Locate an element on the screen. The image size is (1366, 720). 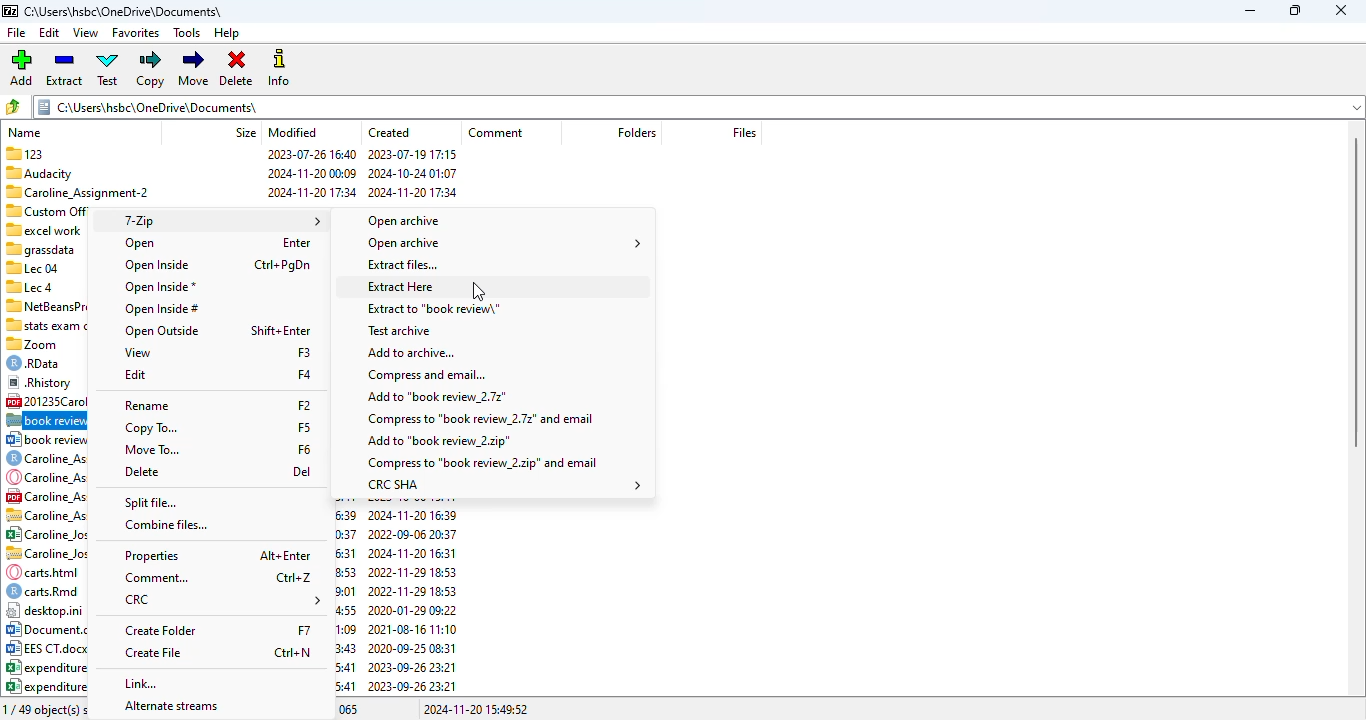
open inside is located at coordinates (156, 265).